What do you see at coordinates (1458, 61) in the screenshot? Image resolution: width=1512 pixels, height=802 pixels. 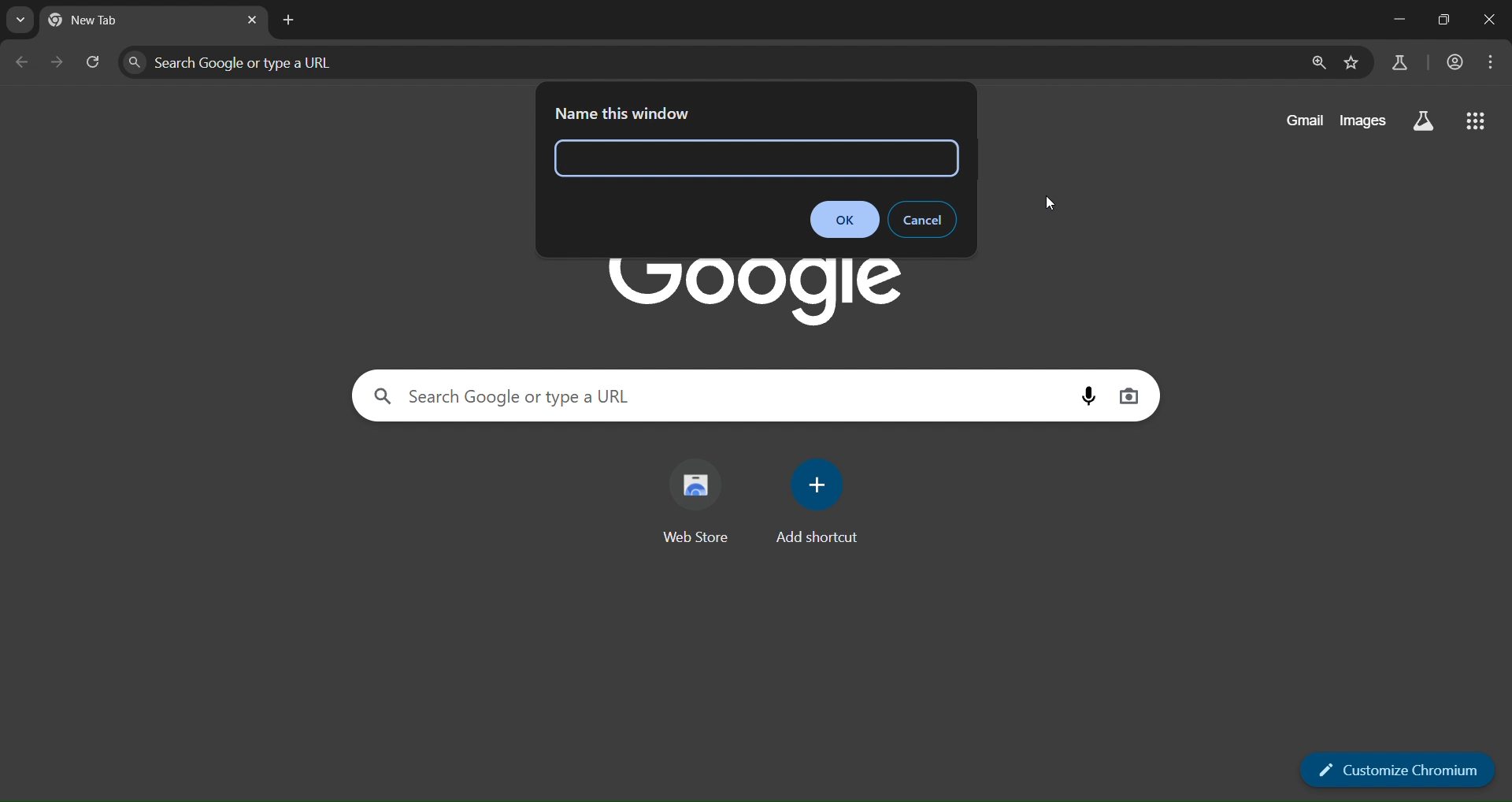 I see `account` at bounding box center [1458, 61].